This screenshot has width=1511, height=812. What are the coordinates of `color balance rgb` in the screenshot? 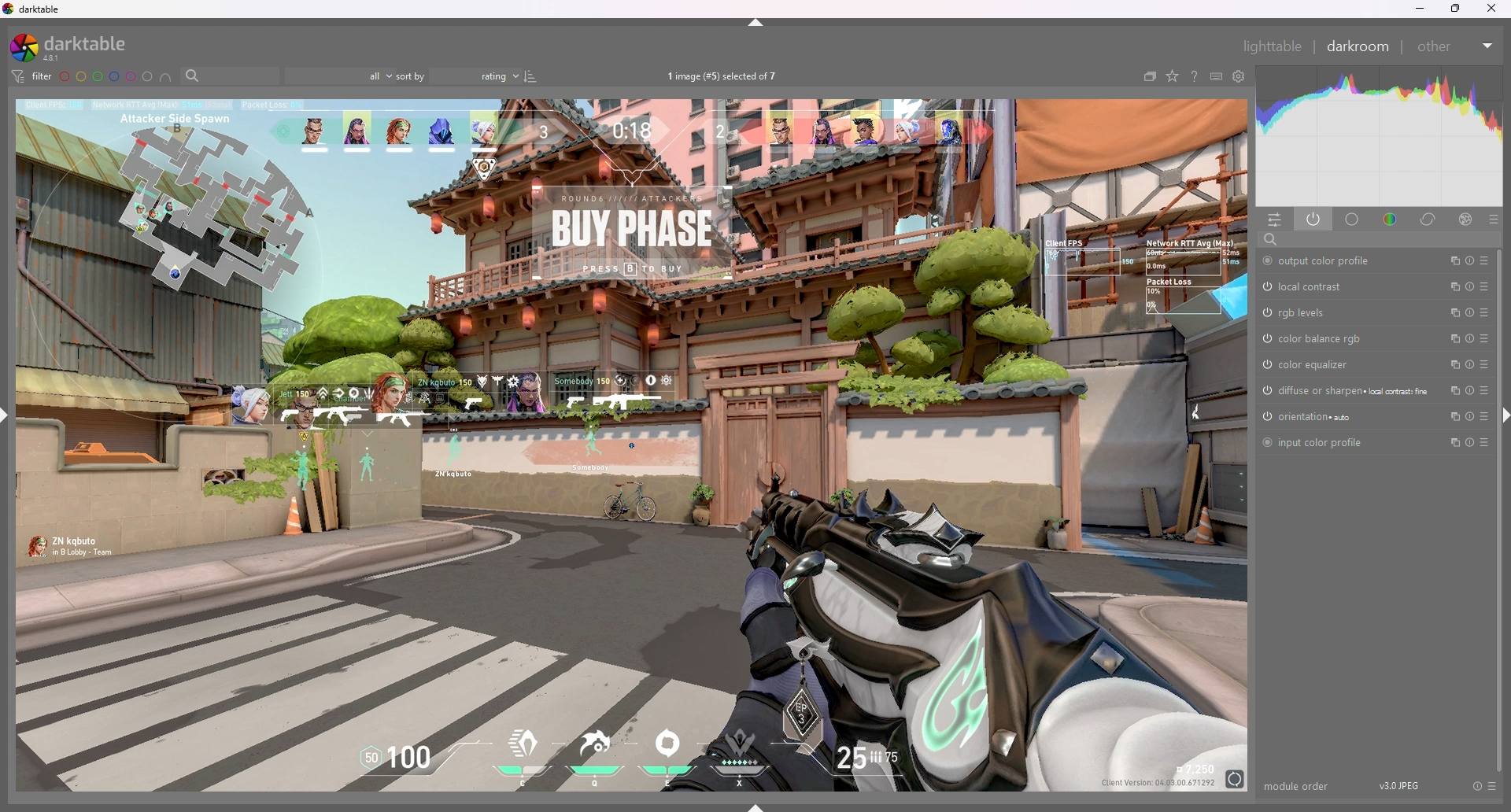 It's located at (1324, 339).